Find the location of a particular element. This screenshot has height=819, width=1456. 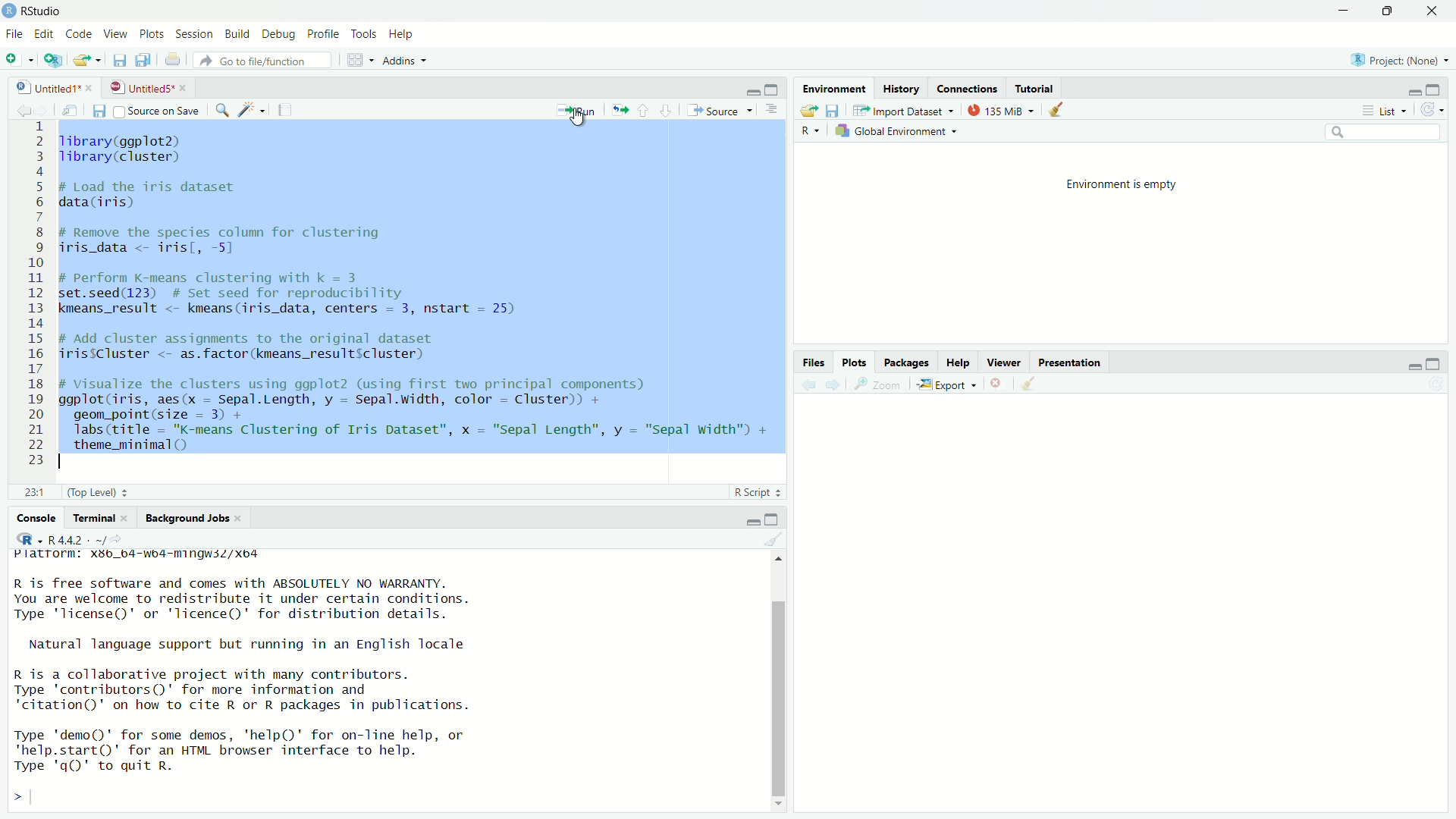

go forward to the next source location is located at coordinates (43, 108).